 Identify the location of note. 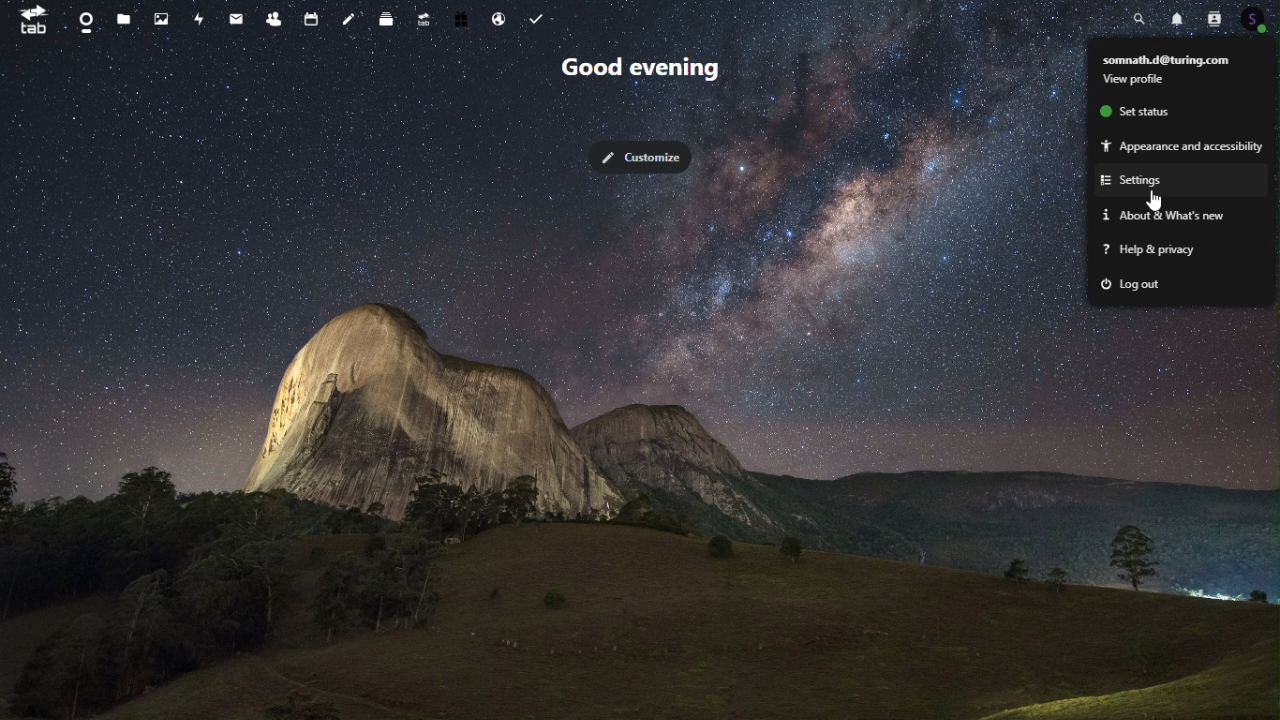
(351, 17).